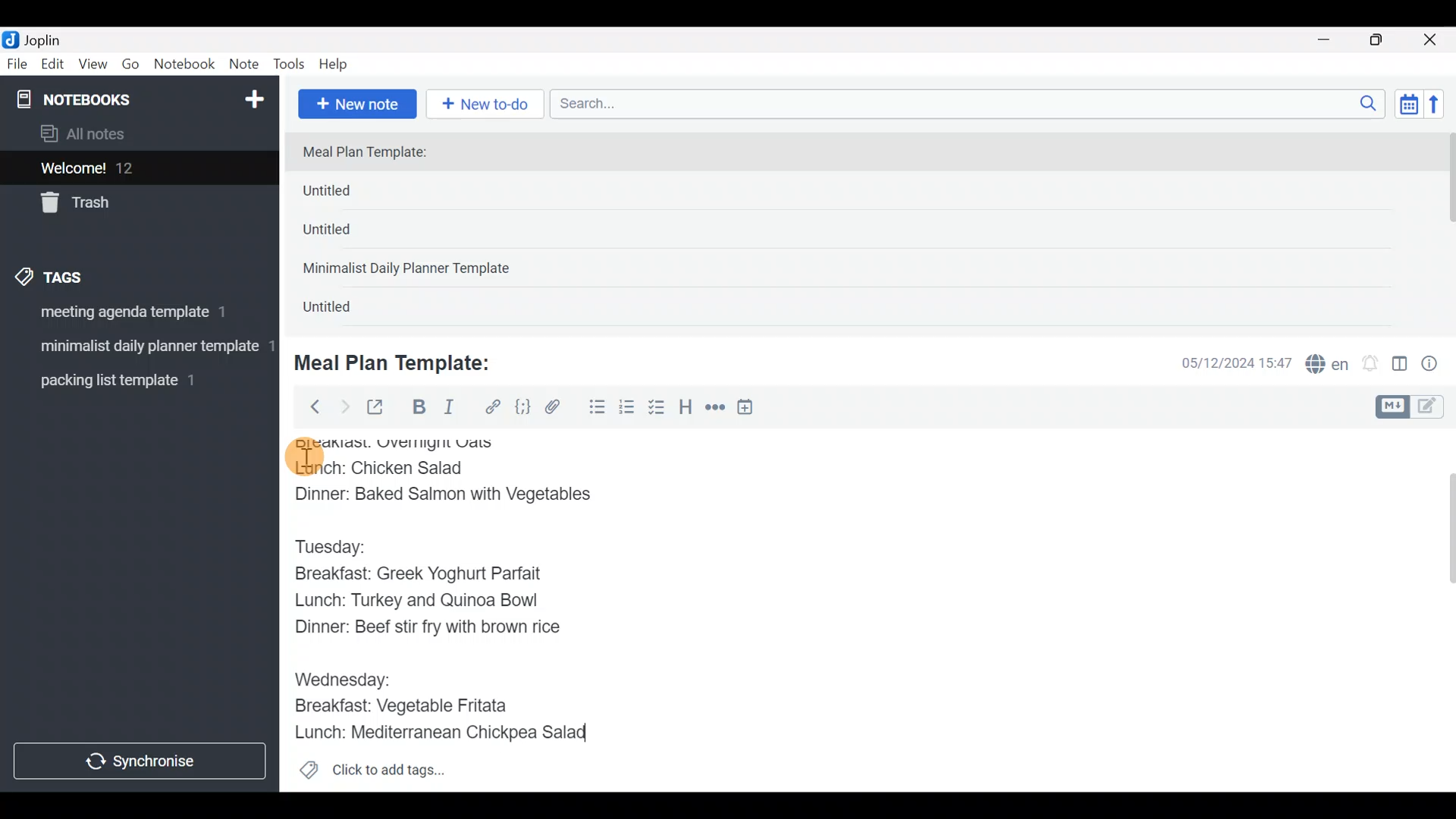 Image resolution: width=1456 pixels, height=819 pixels. I want to click on Scroll bar, so click(1440, 610).